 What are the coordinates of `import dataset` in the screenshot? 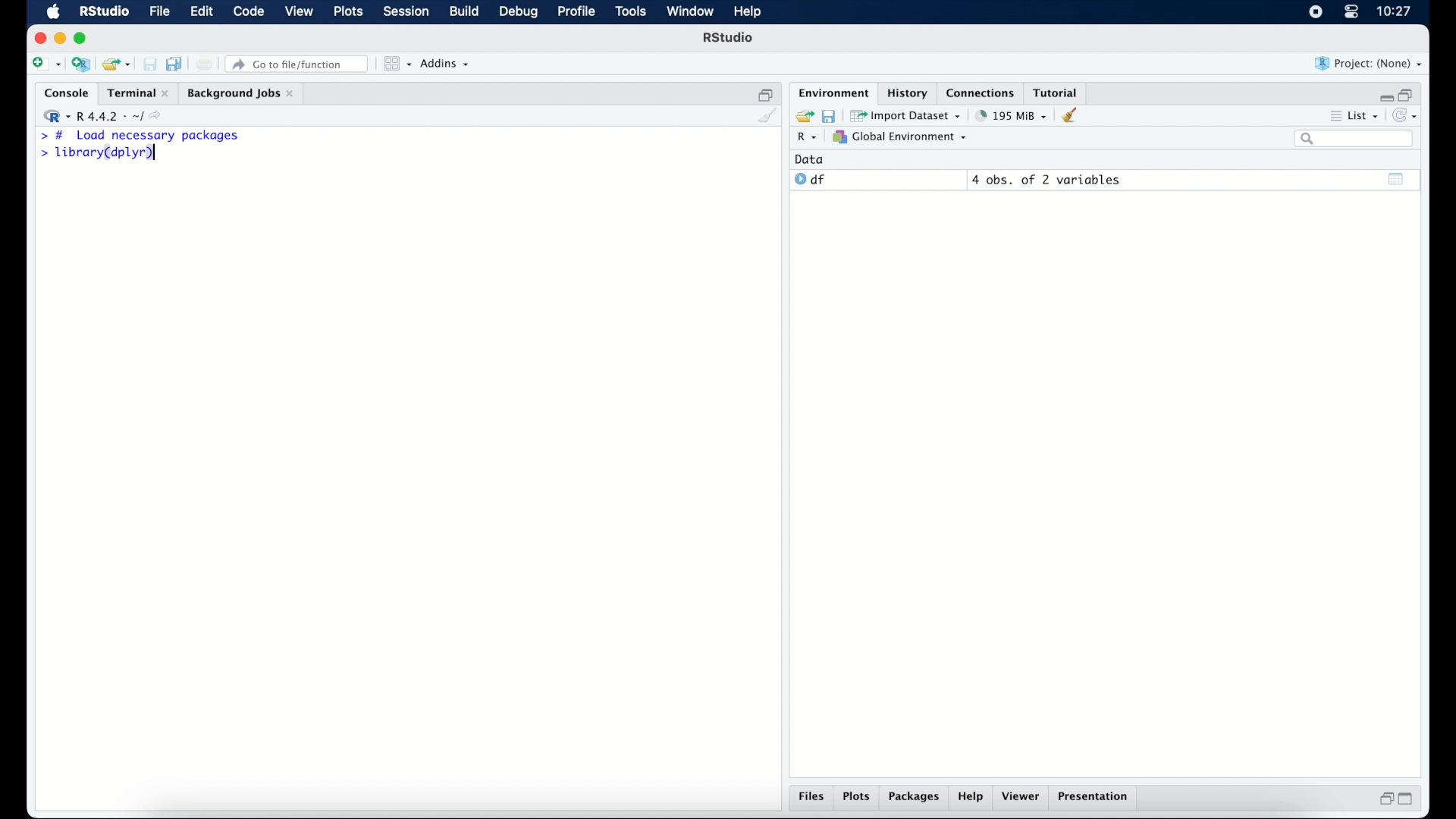 It's located at (907, 115).